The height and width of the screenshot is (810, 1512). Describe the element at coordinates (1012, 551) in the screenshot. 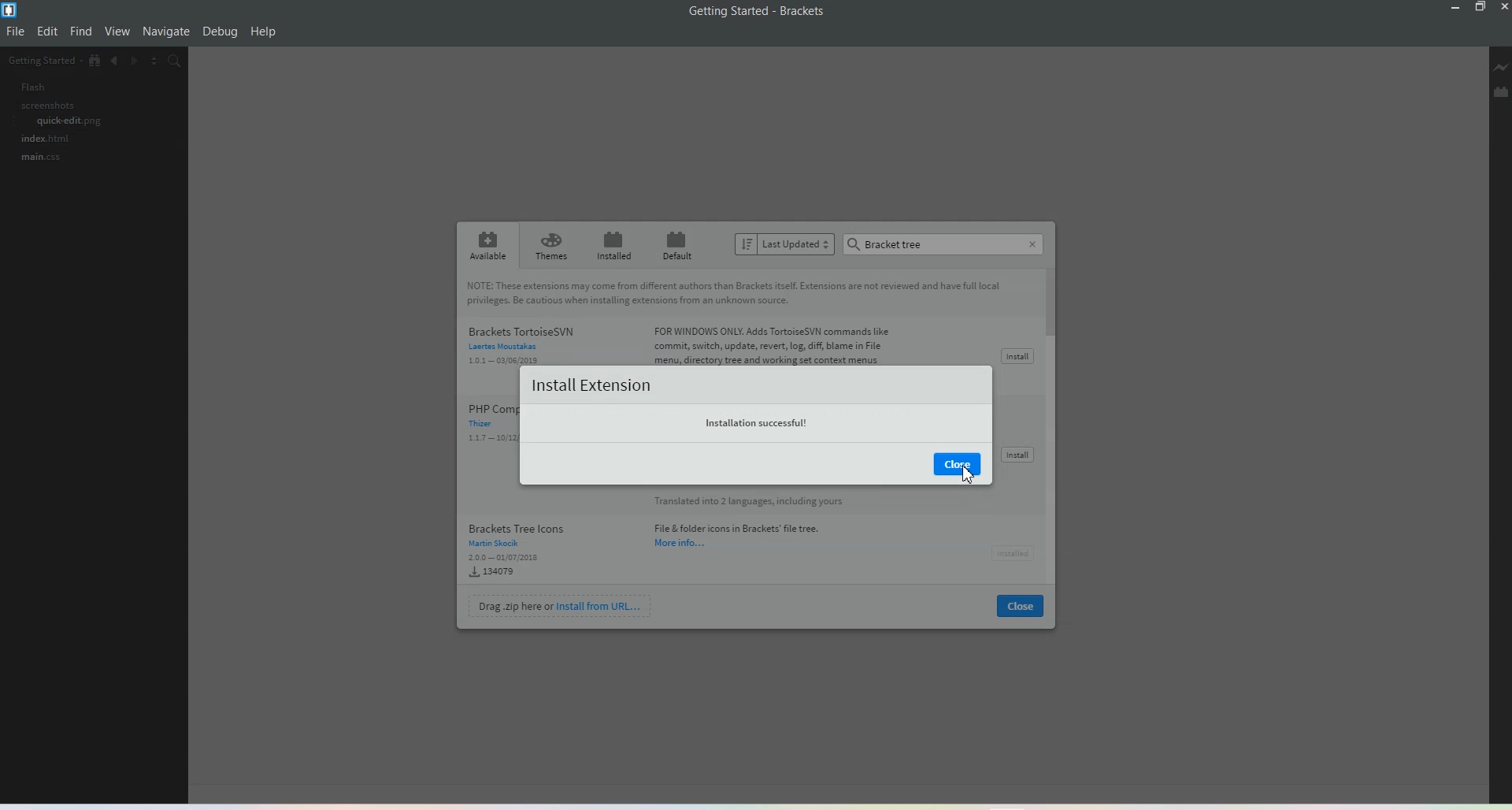

I see `Install` at that location.